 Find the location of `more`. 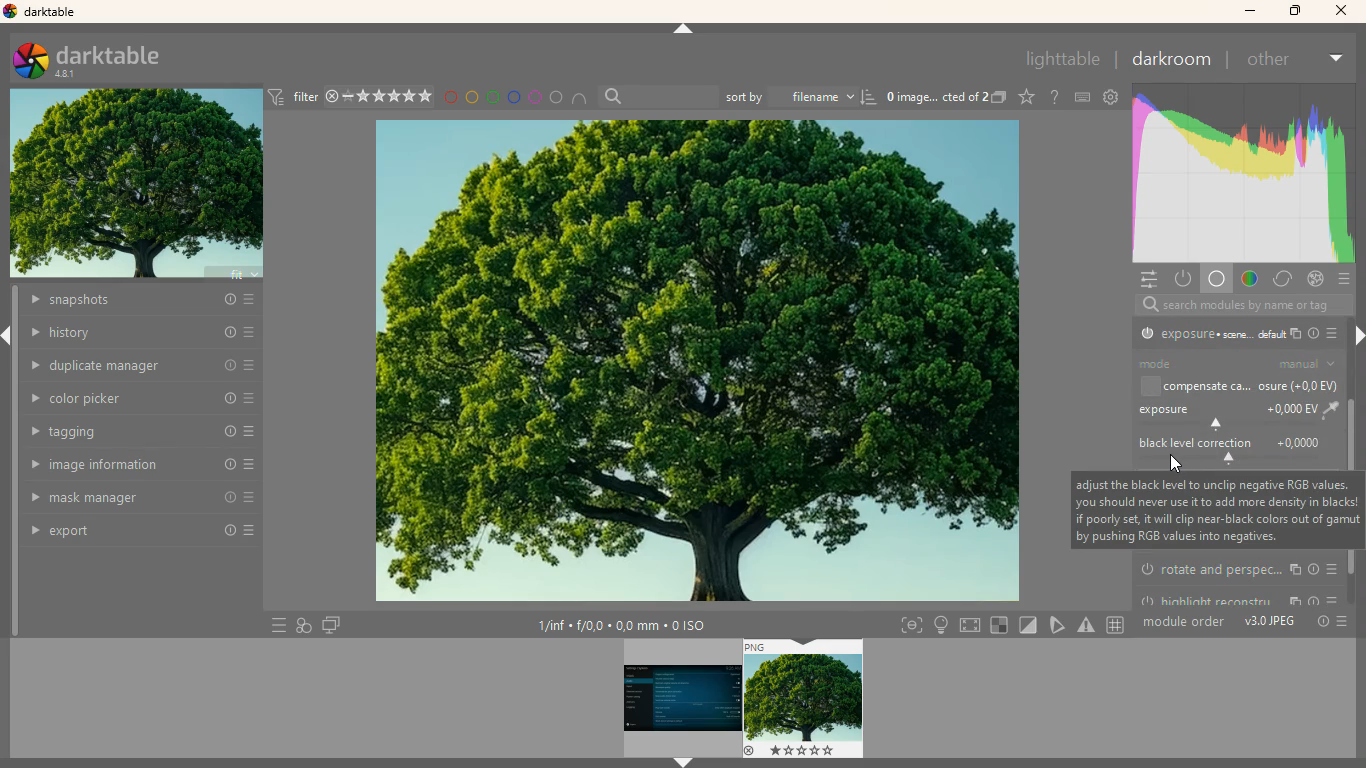

more is located at coordinates (1337, 332).